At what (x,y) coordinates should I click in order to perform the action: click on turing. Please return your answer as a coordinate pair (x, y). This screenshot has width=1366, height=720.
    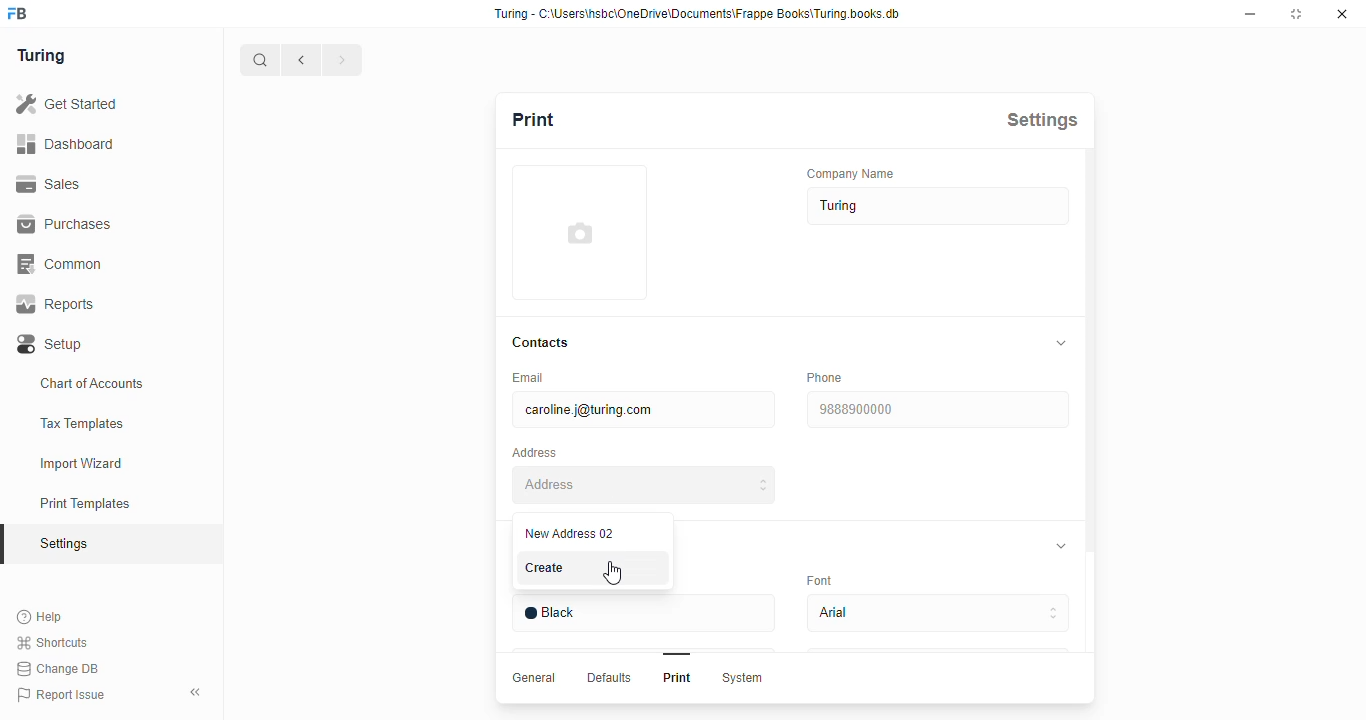
    Looking at the image, I should click on (939, 206).